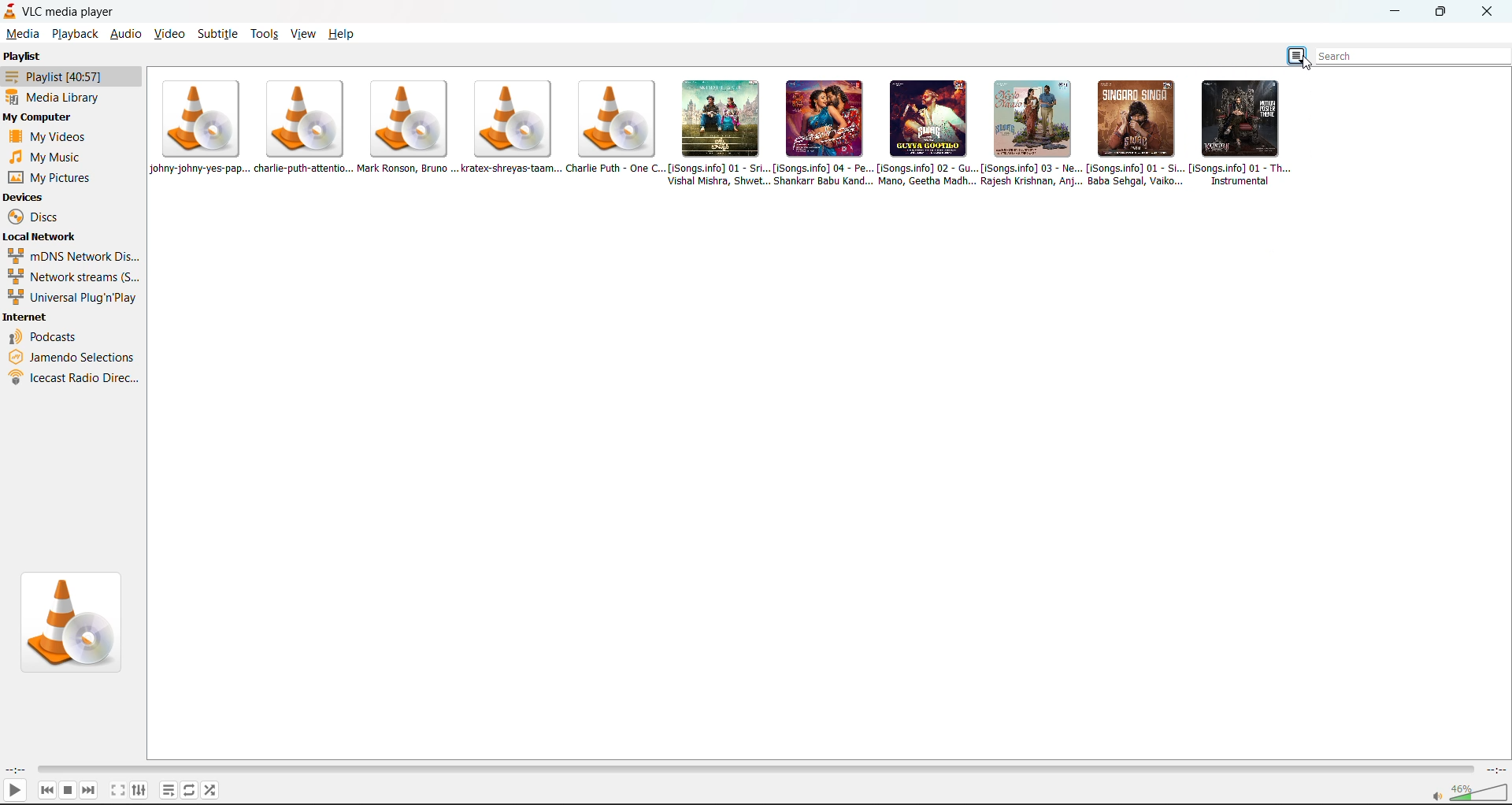  I want to click on media, so click(23, 32).